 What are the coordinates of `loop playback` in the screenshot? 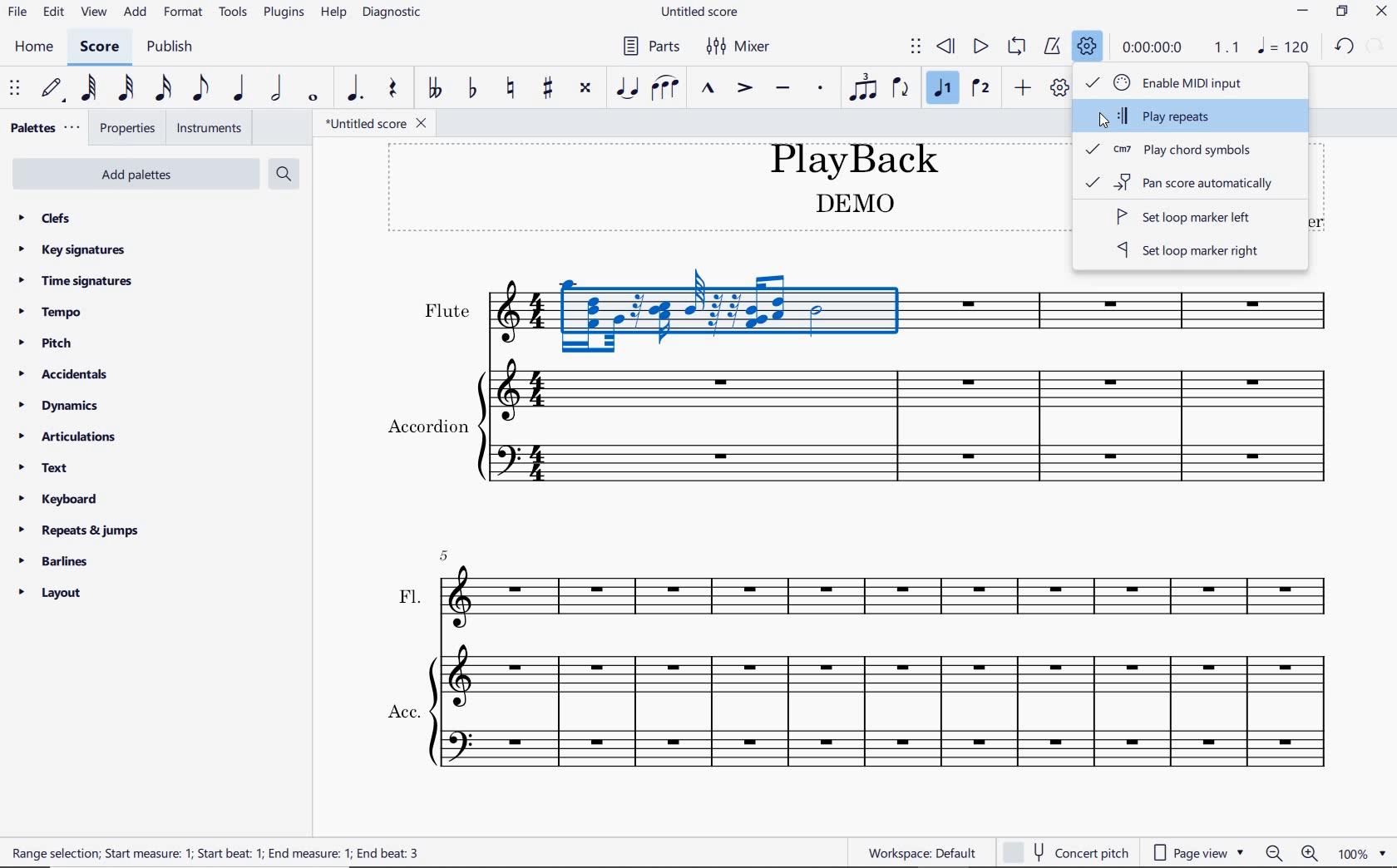 It's located at (1017, 47).